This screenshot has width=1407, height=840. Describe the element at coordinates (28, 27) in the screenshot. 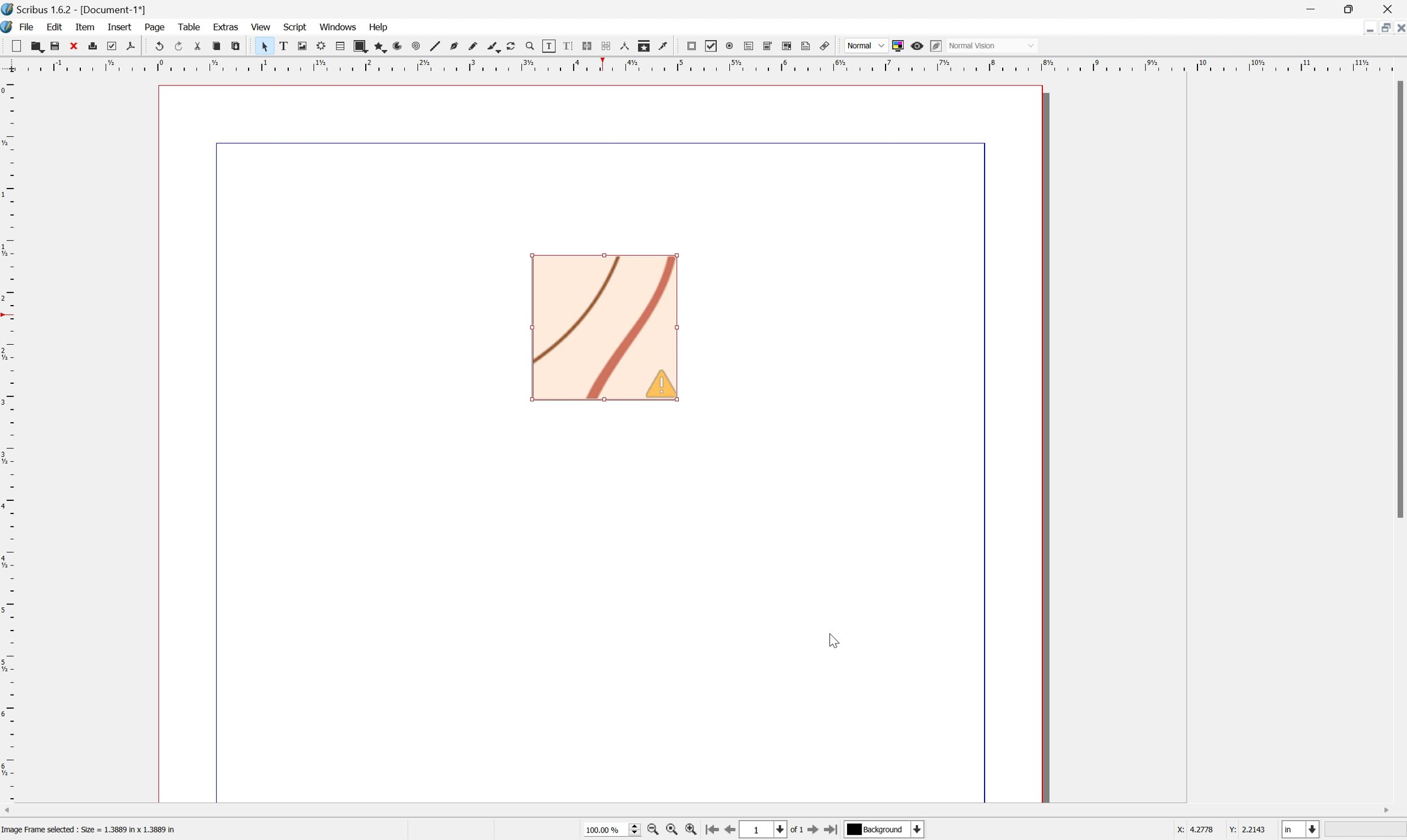

I see `File` at that location.